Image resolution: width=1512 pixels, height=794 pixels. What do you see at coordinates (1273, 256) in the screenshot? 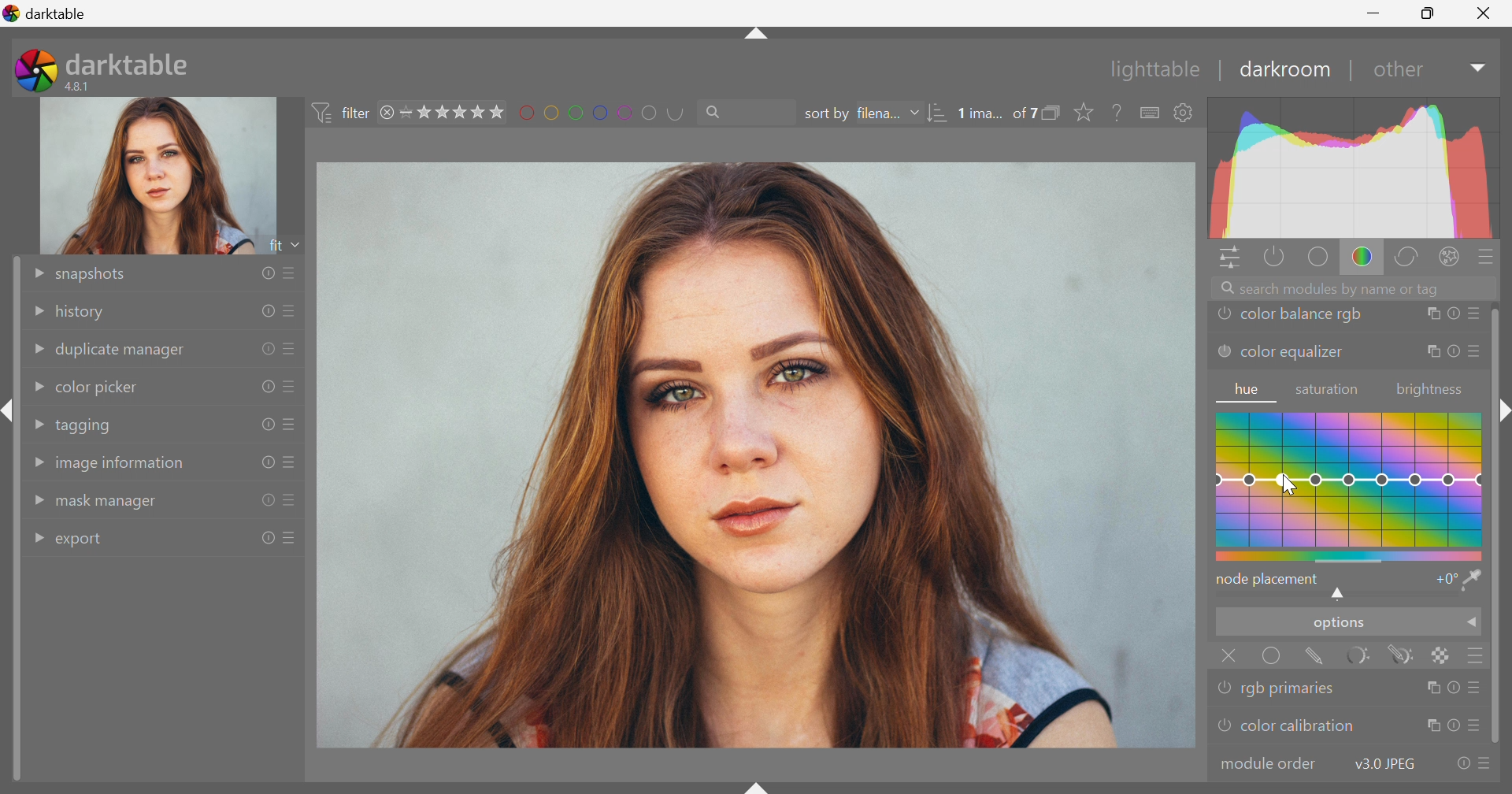
I see `show only active modules` at bounding box center [1273, 256].